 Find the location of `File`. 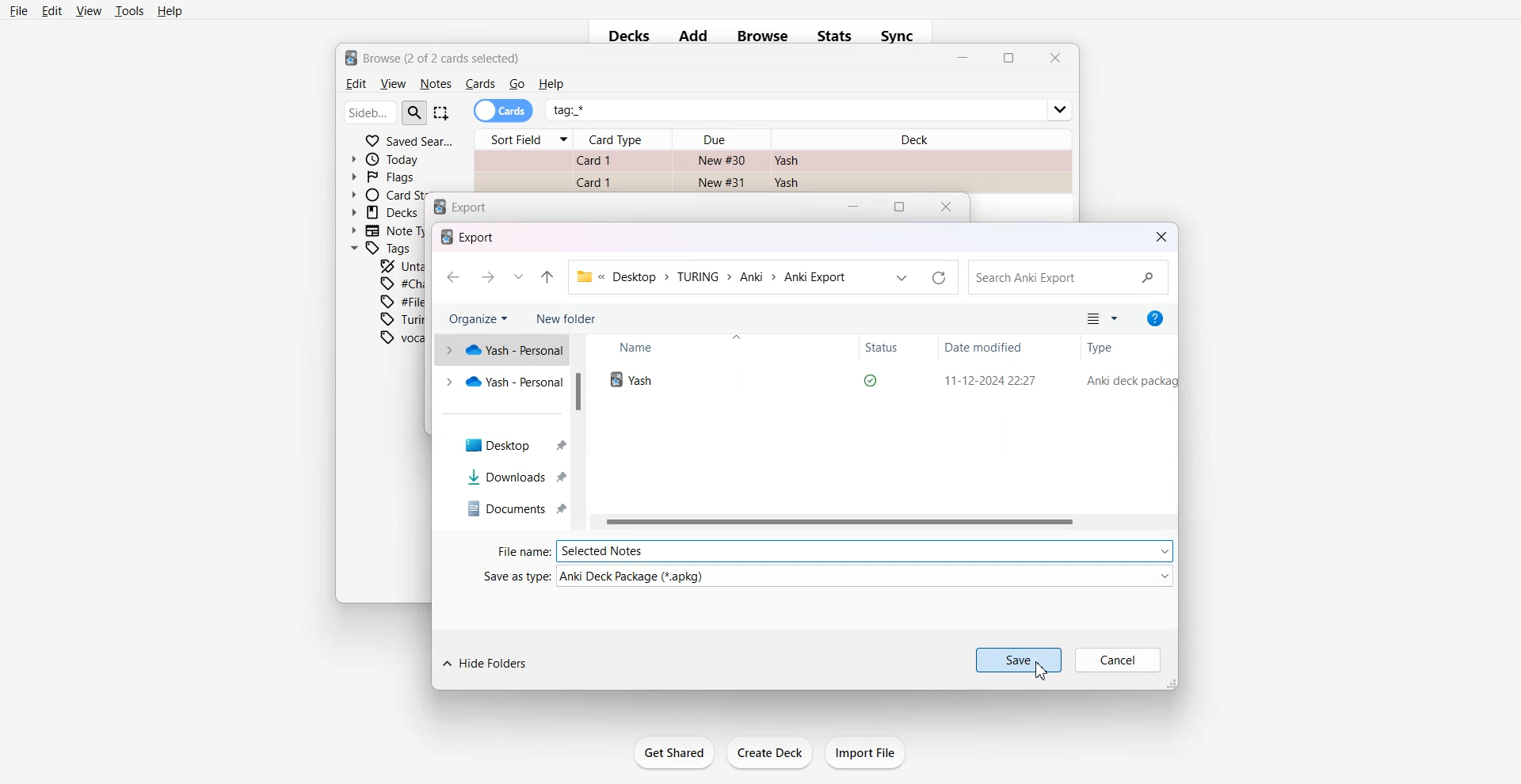

File is located at coordinates (886, 380).